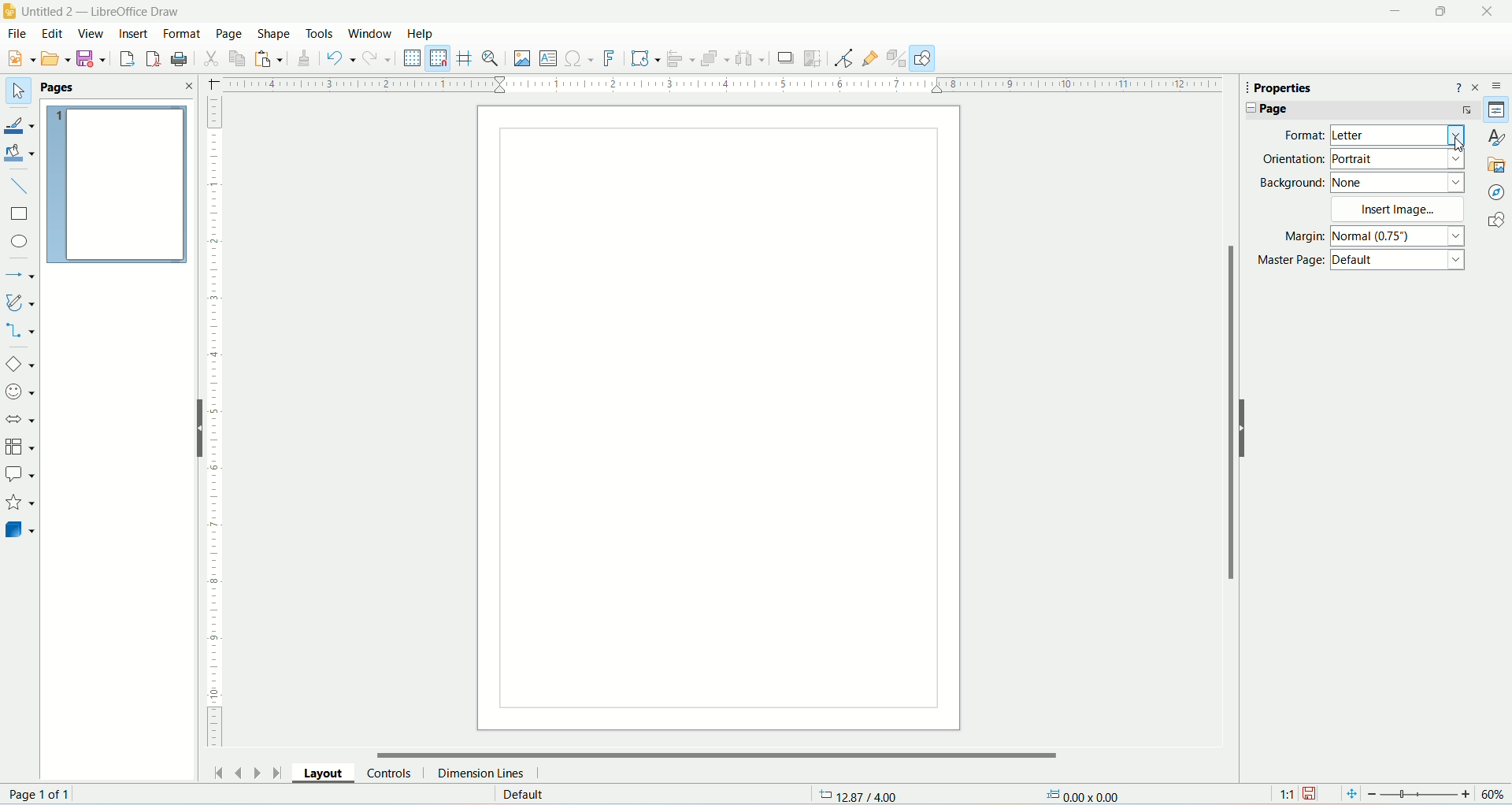 This screenshot has height=805, width=1512. What do you see at coordinates (237, 770) in the screenshot?
I see `previous page` at bounding box center [237, 770].